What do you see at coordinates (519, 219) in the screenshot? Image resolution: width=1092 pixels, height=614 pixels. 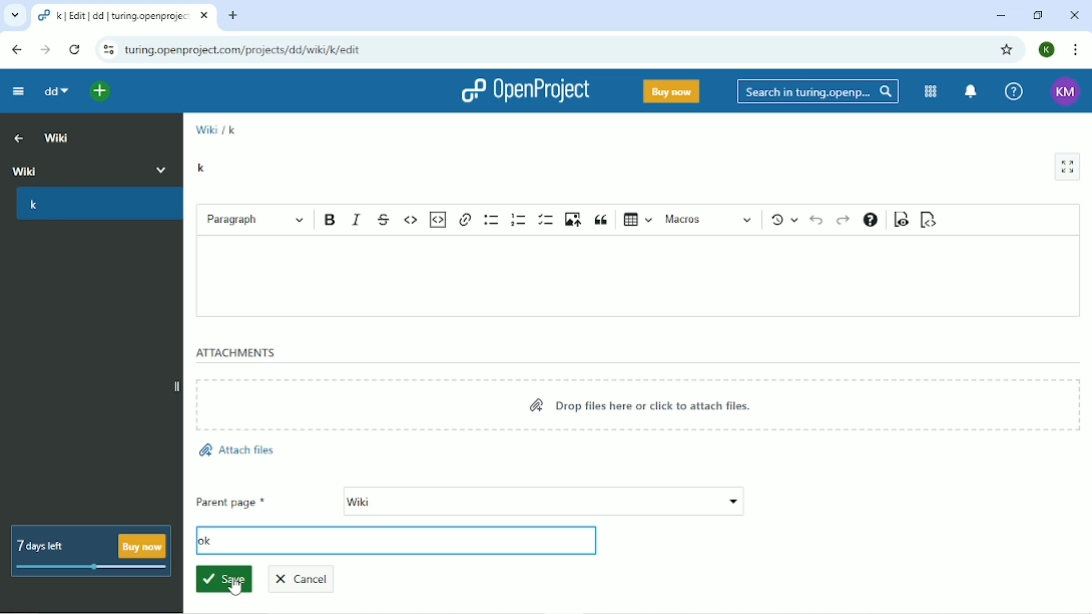 I see `Numbered list` at bounding box center [519, 219].